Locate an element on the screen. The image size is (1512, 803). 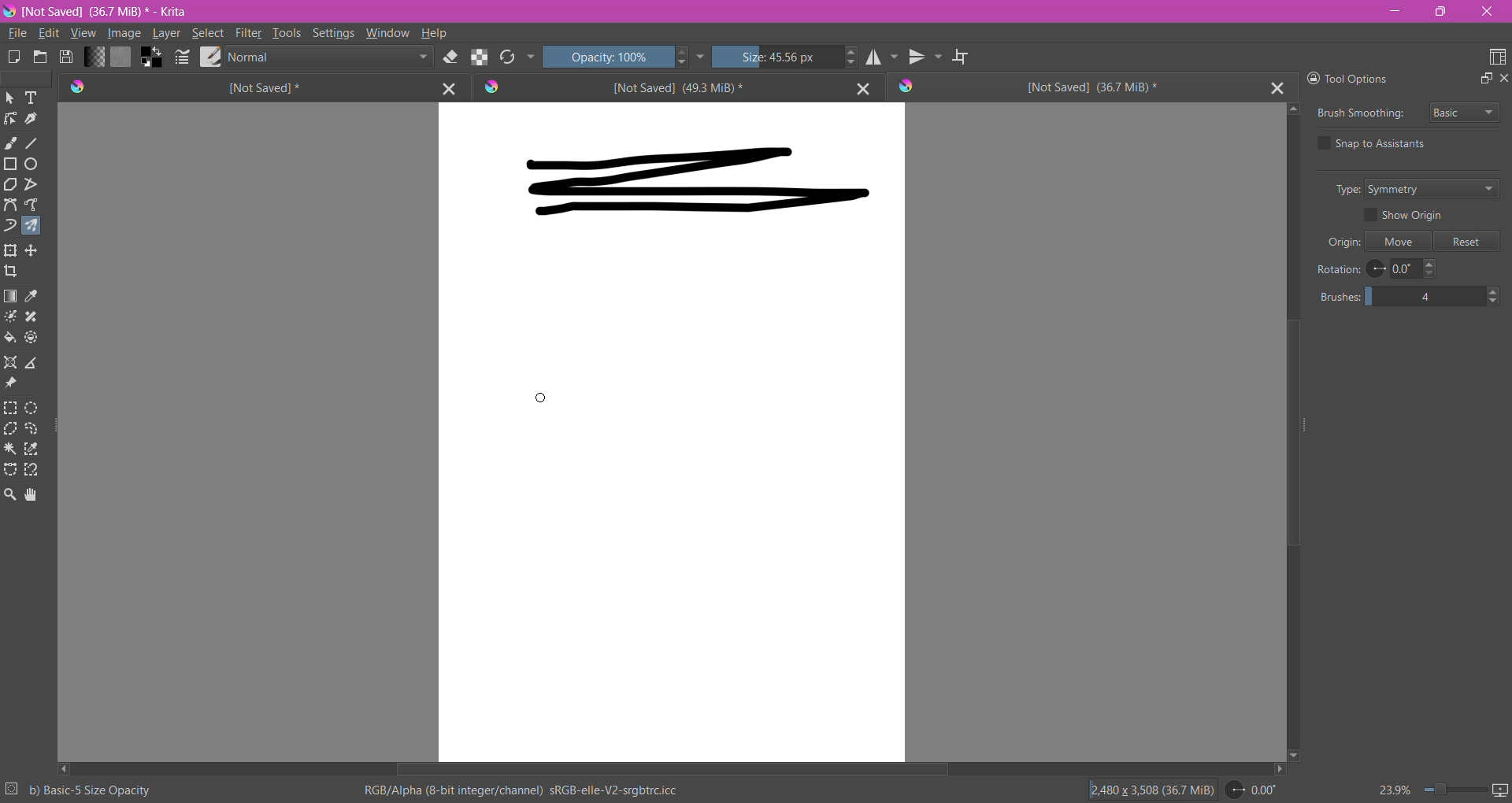
Minimize is located at coordinates (1394, 10).